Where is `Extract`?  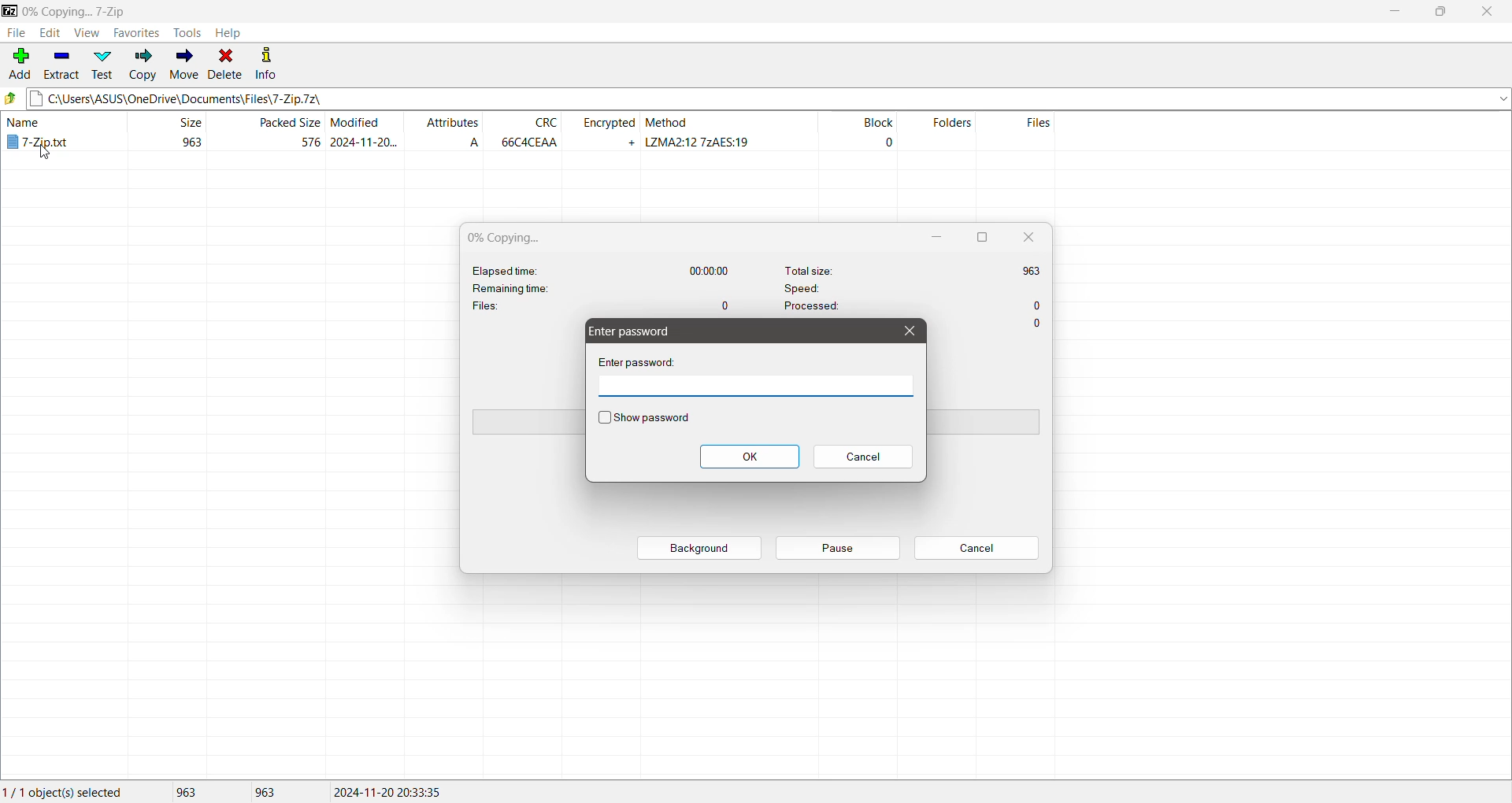
Extract is located at coordinates (61, 65).